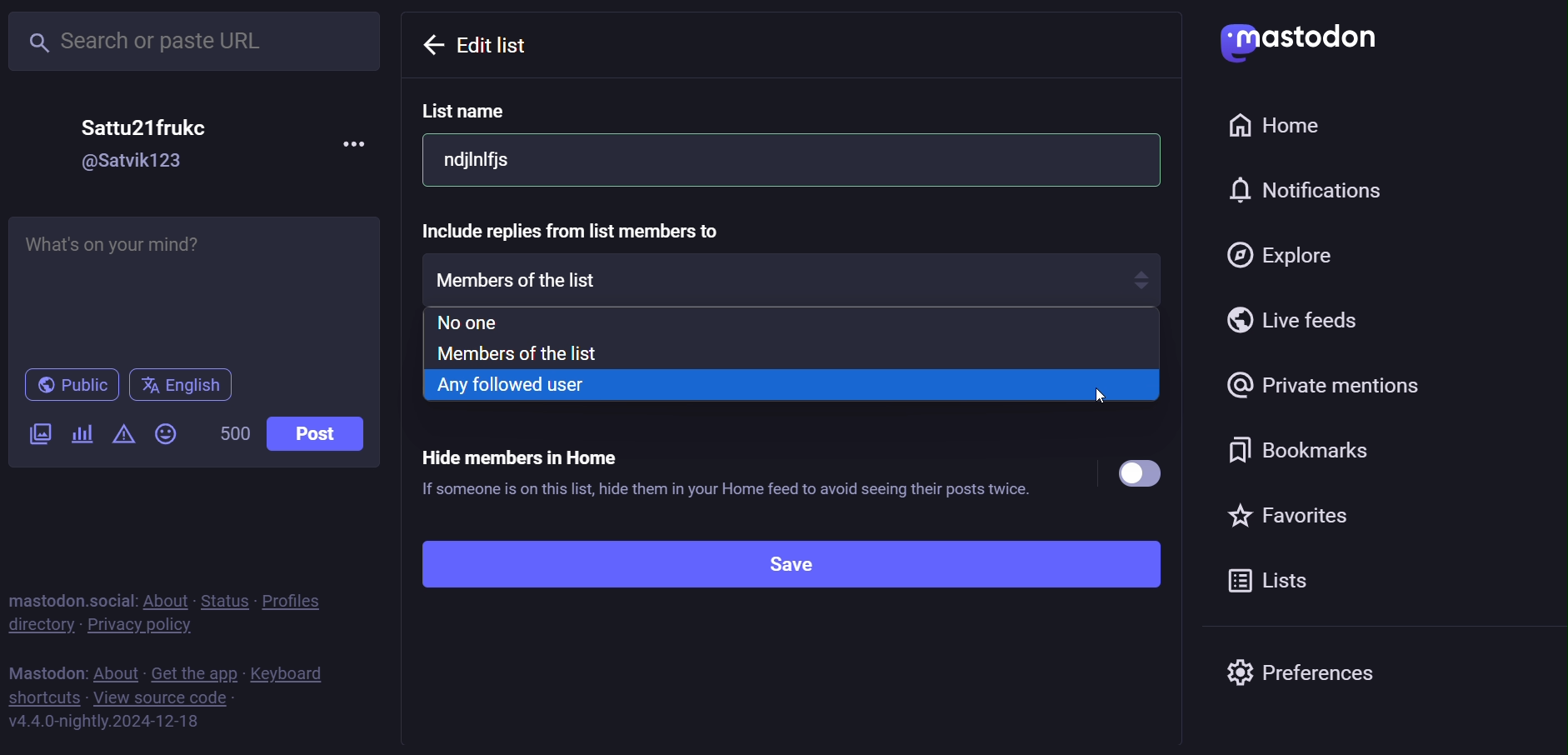 Image resolution: width=1568 pixels, height=755 pixels. What do you see at coordinates (1270, 579) in the screenshot?
I see `list` at bounding box center [1270, 579].